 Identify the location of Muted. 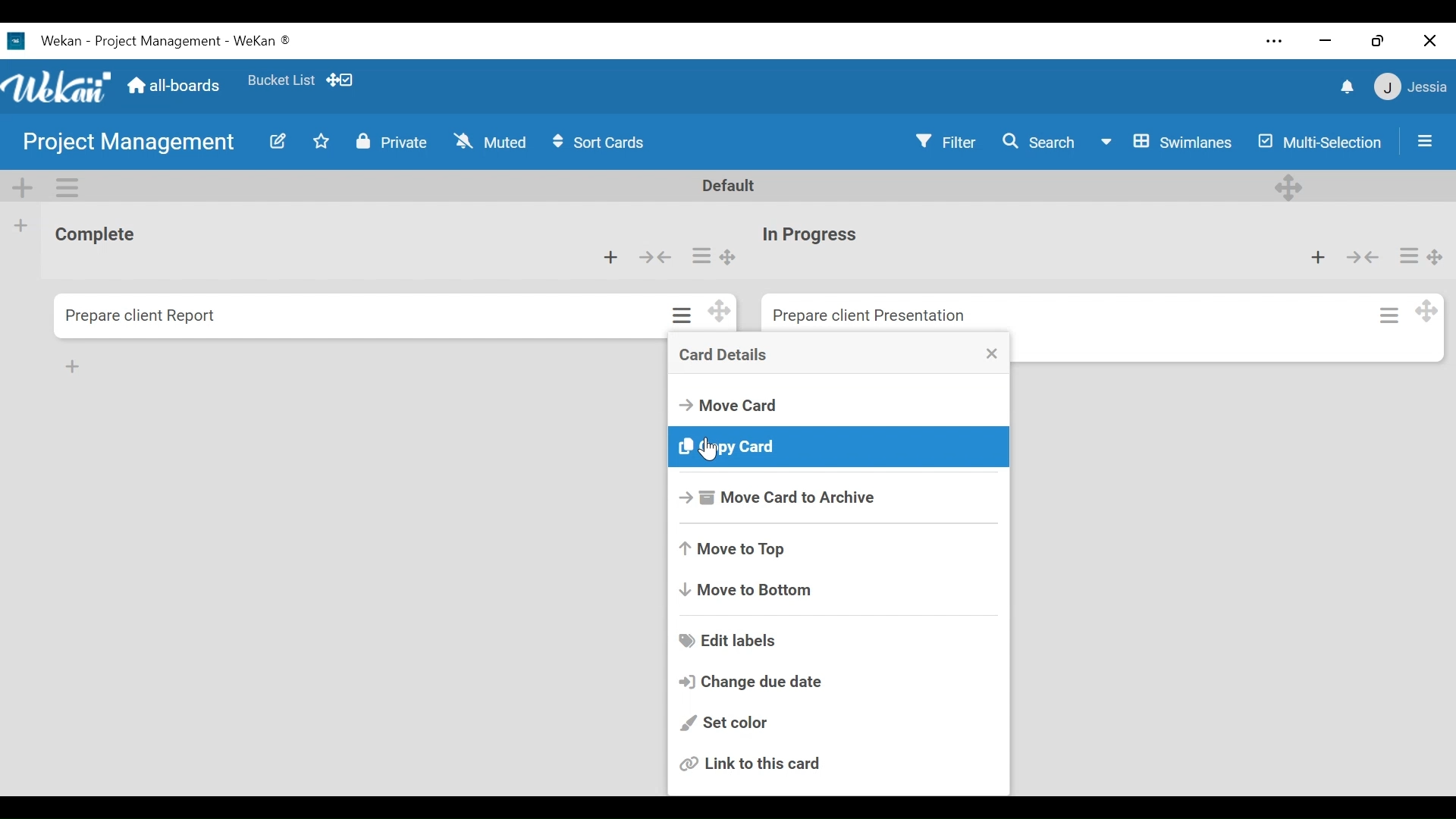
(490, 142).